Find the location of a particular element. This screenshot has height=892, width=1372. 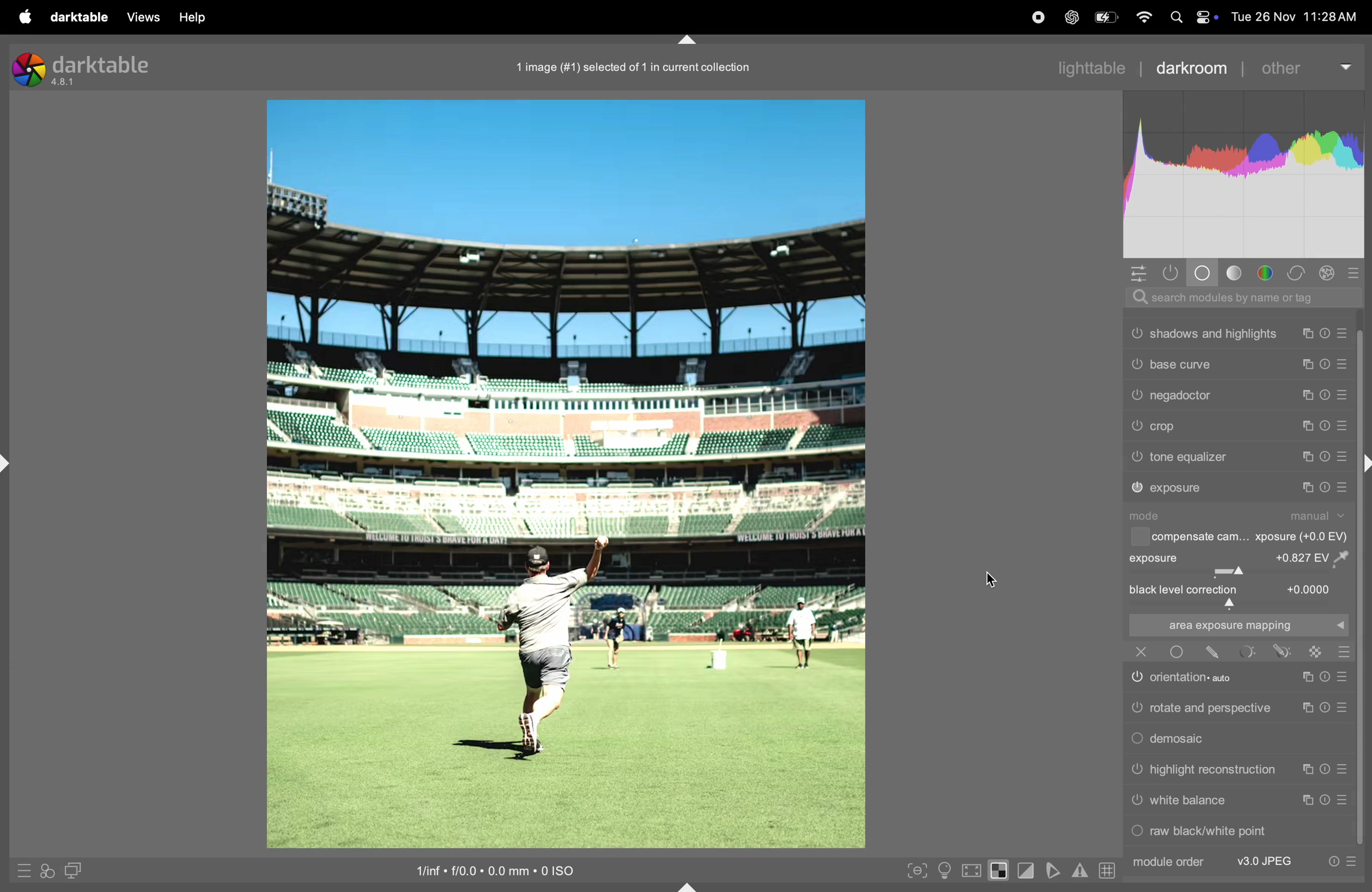

Value  is located at coordinates (1310, 588).